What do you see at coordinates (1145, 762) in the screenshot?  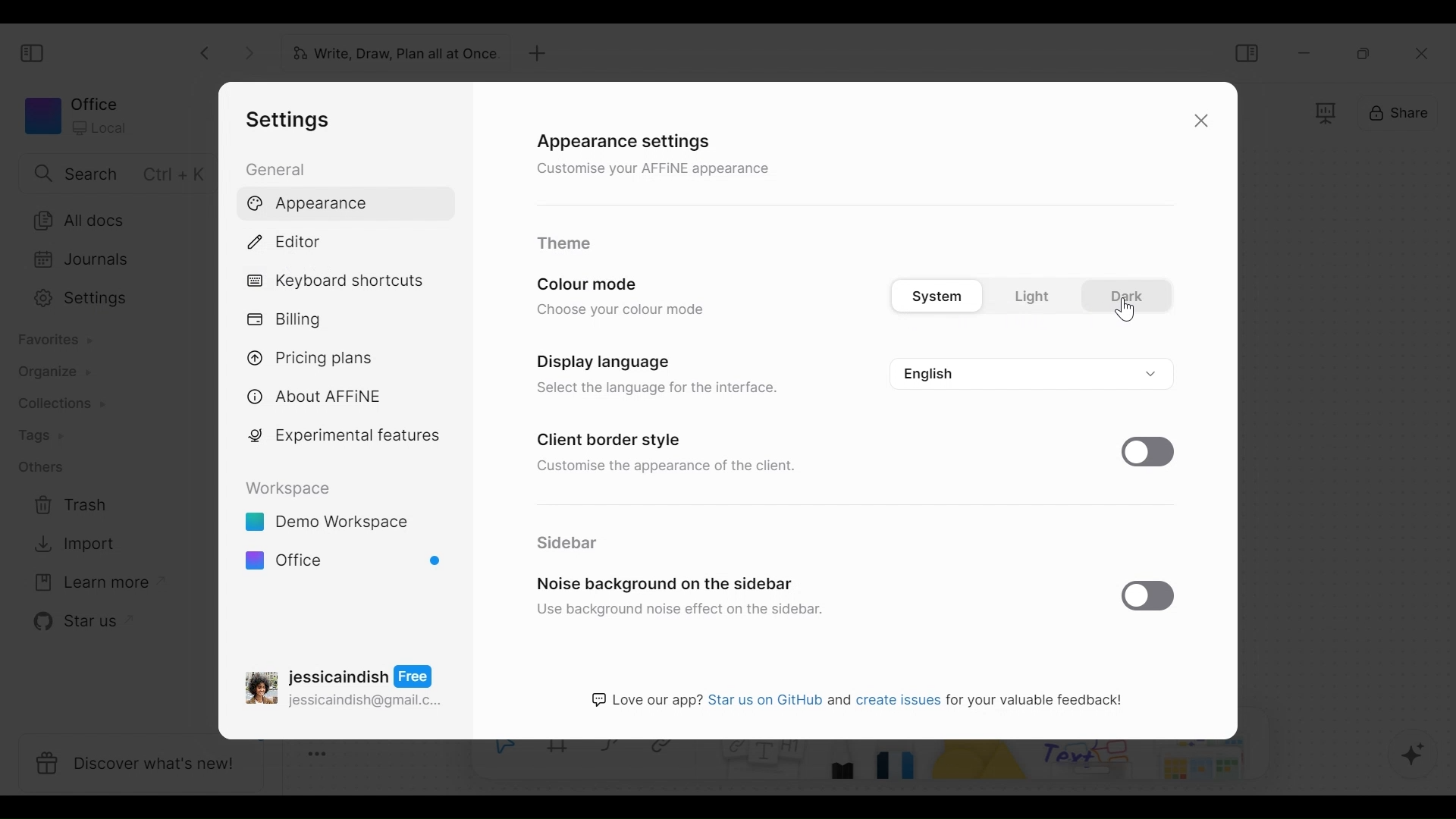 I see `Others` at bounding box center [1145, 762].